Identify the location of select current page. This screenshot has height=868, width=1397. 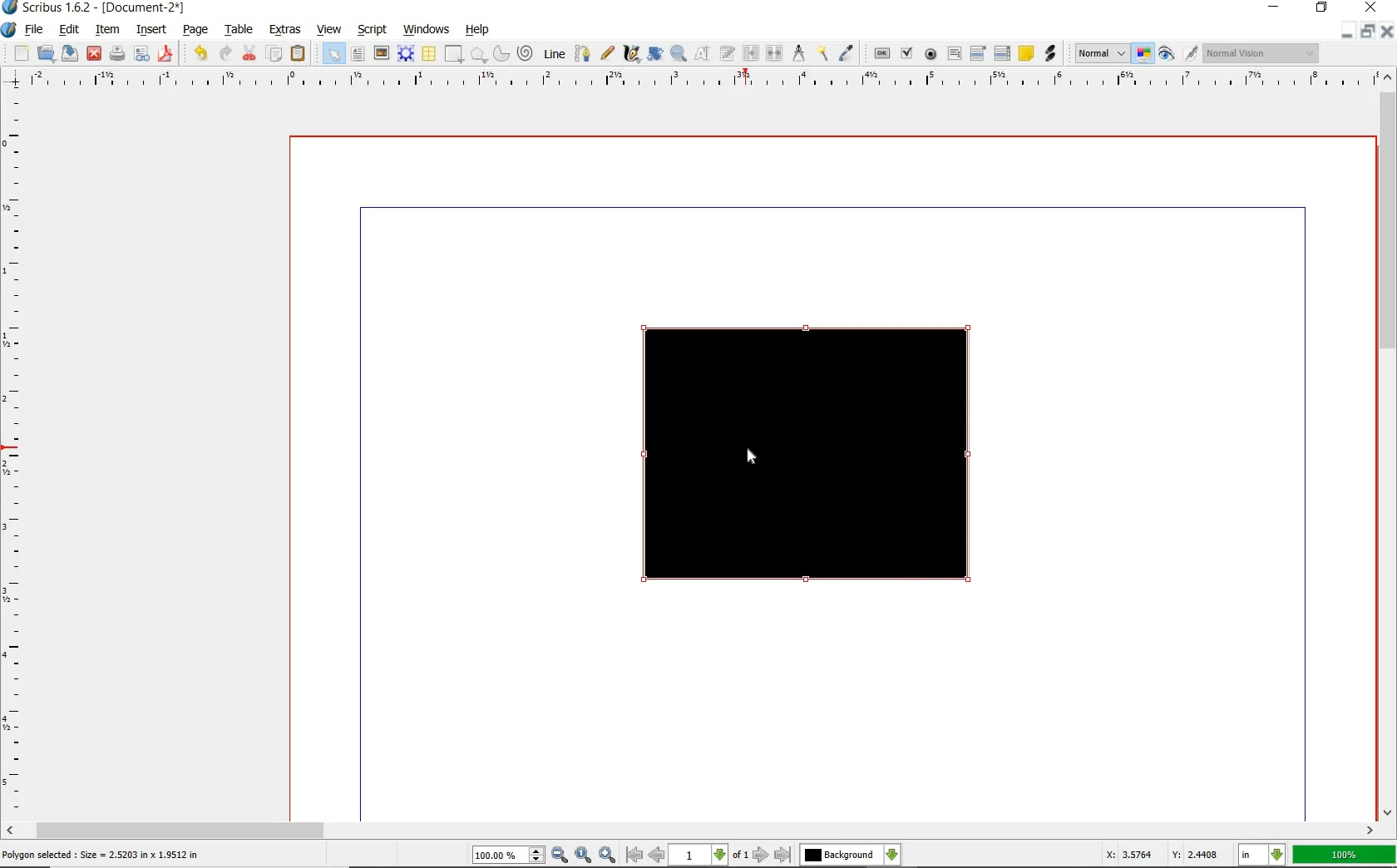
(708, 856).